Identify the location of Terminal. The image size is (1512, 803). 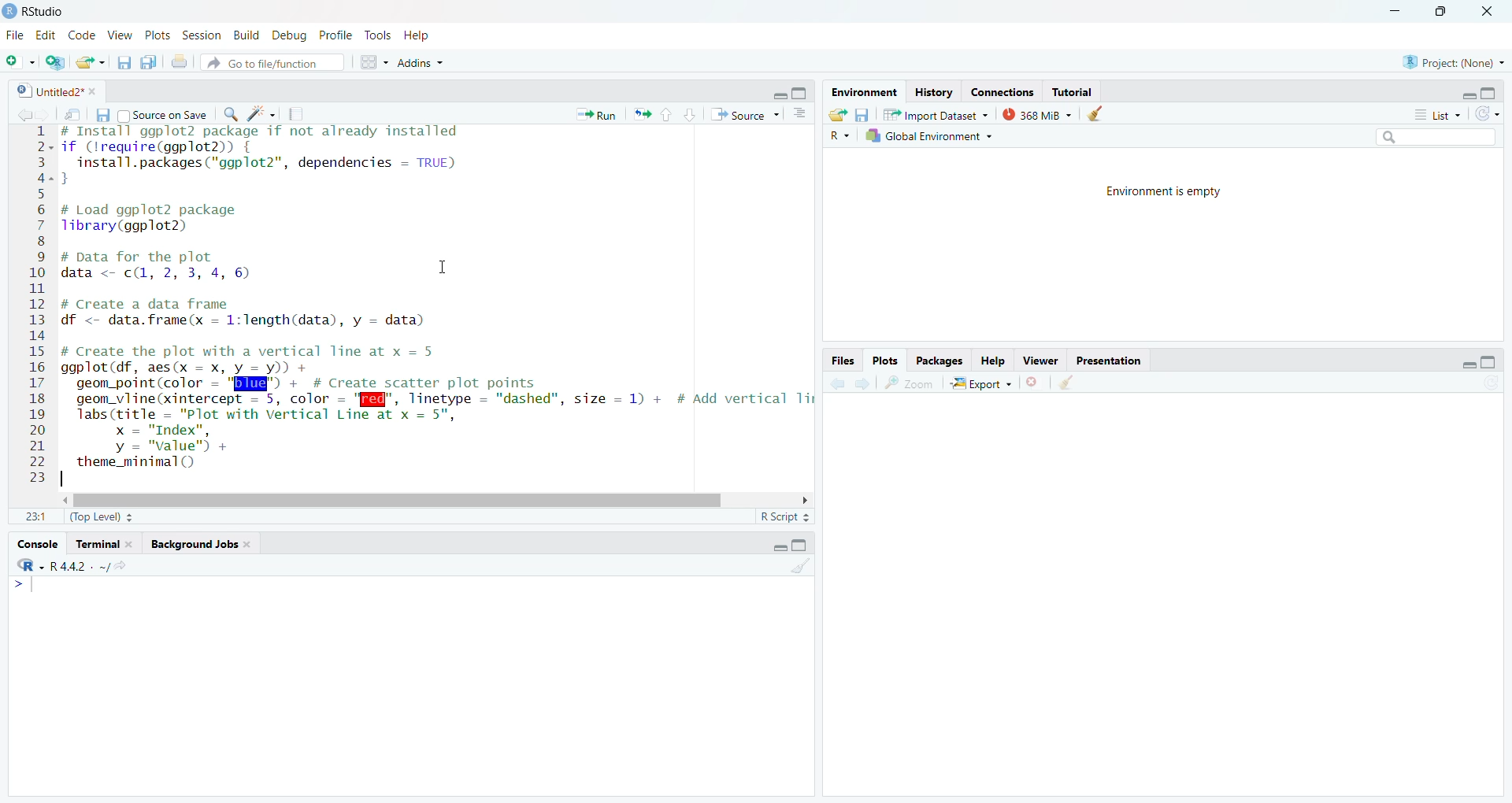
(103, 543).